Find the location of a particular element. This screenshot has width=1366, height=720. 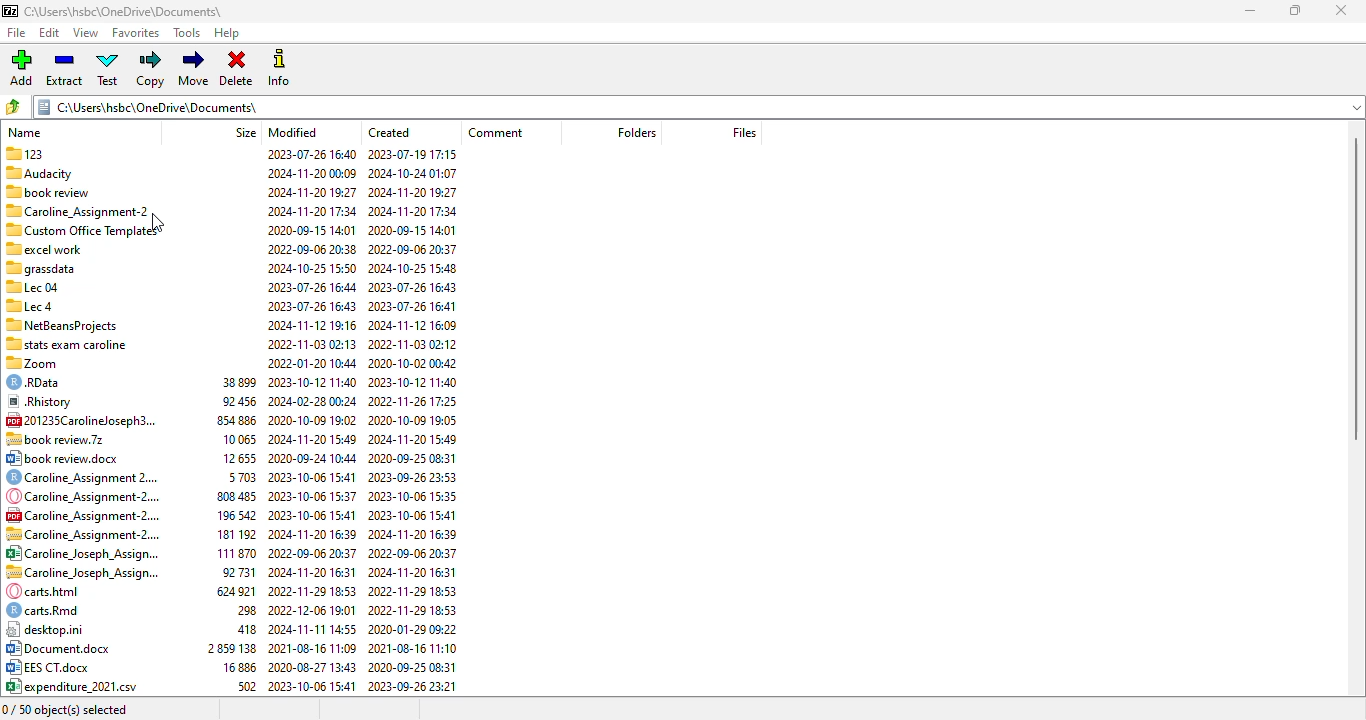

 expenditure _2021.csv is located at coordinates (76, 686).